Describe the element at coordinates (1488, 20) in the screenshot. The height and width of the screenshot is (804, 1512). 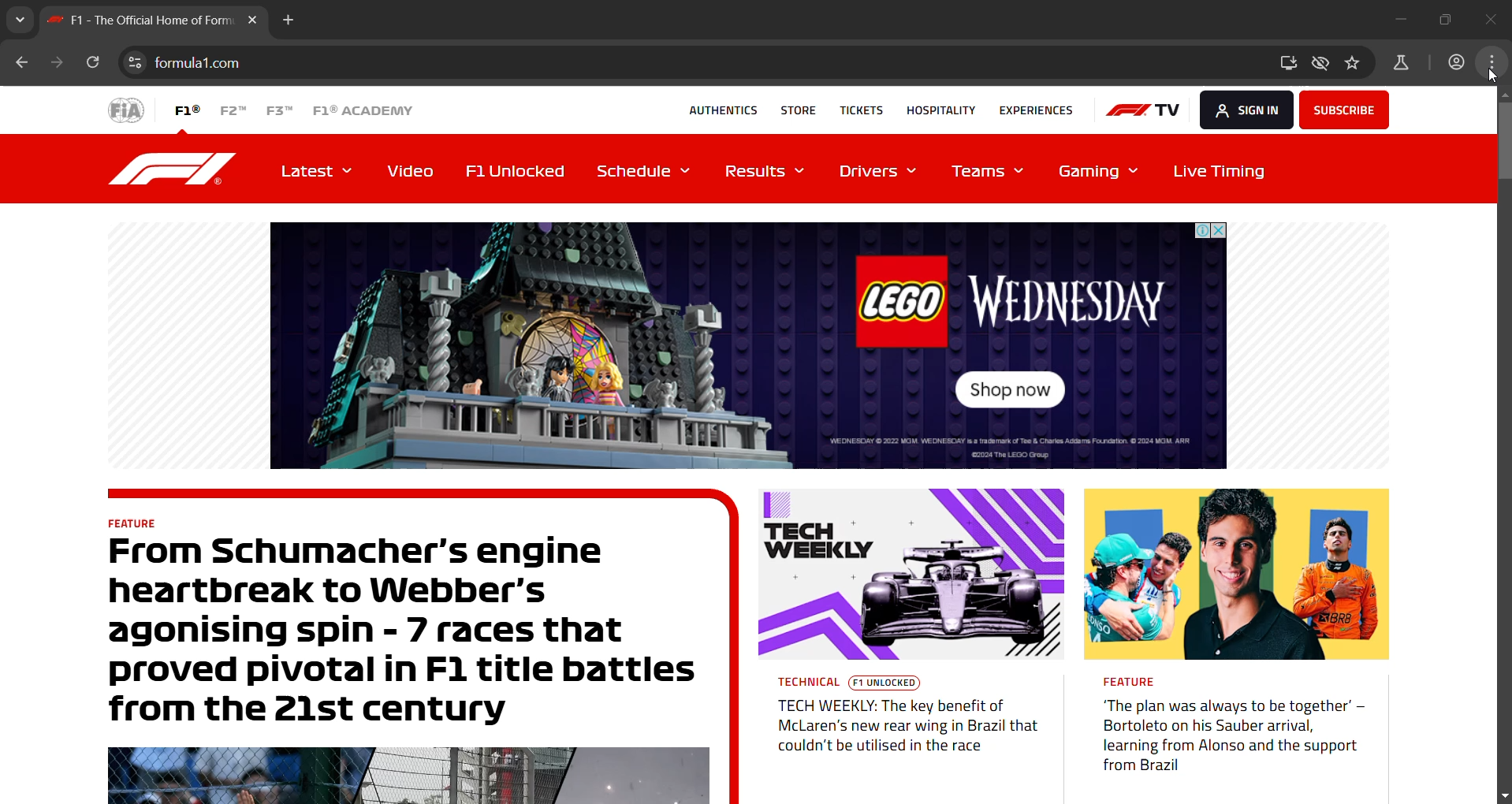
I see `close` at that location.